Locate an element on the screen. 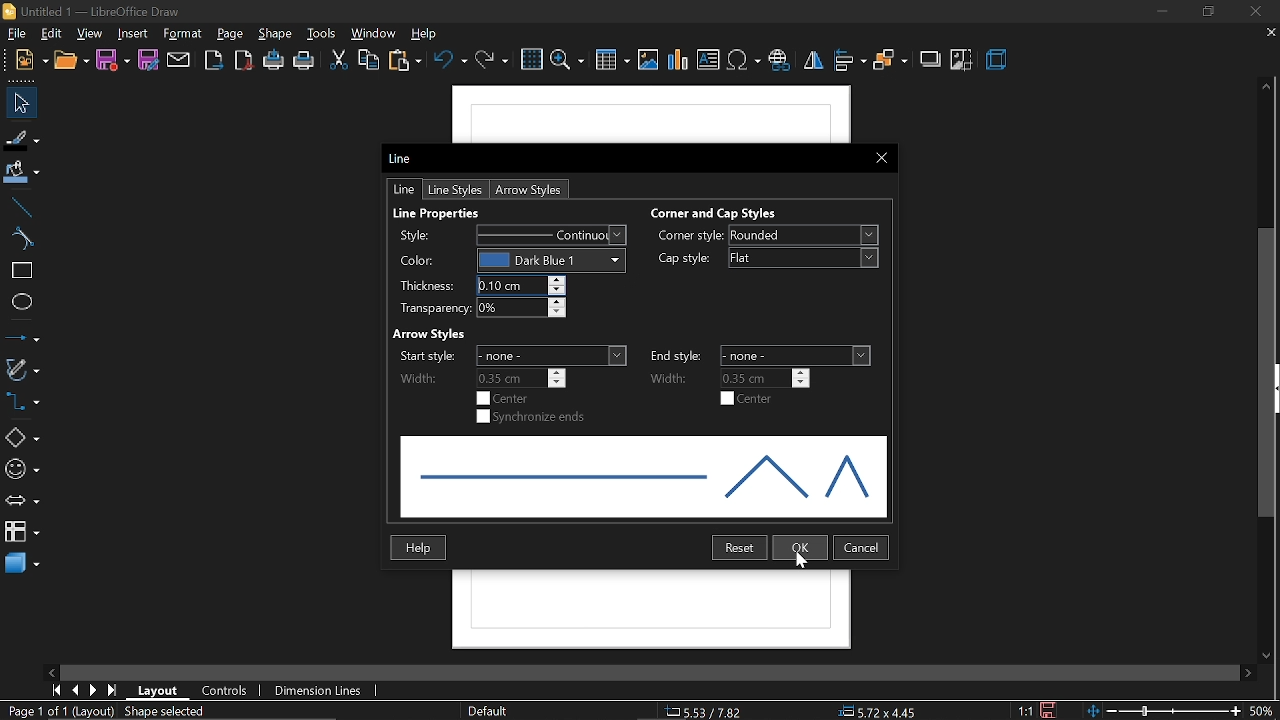 Image resolution: width=1280 pixels, height=720 pixels. edit is located at coordinates (54, 33).